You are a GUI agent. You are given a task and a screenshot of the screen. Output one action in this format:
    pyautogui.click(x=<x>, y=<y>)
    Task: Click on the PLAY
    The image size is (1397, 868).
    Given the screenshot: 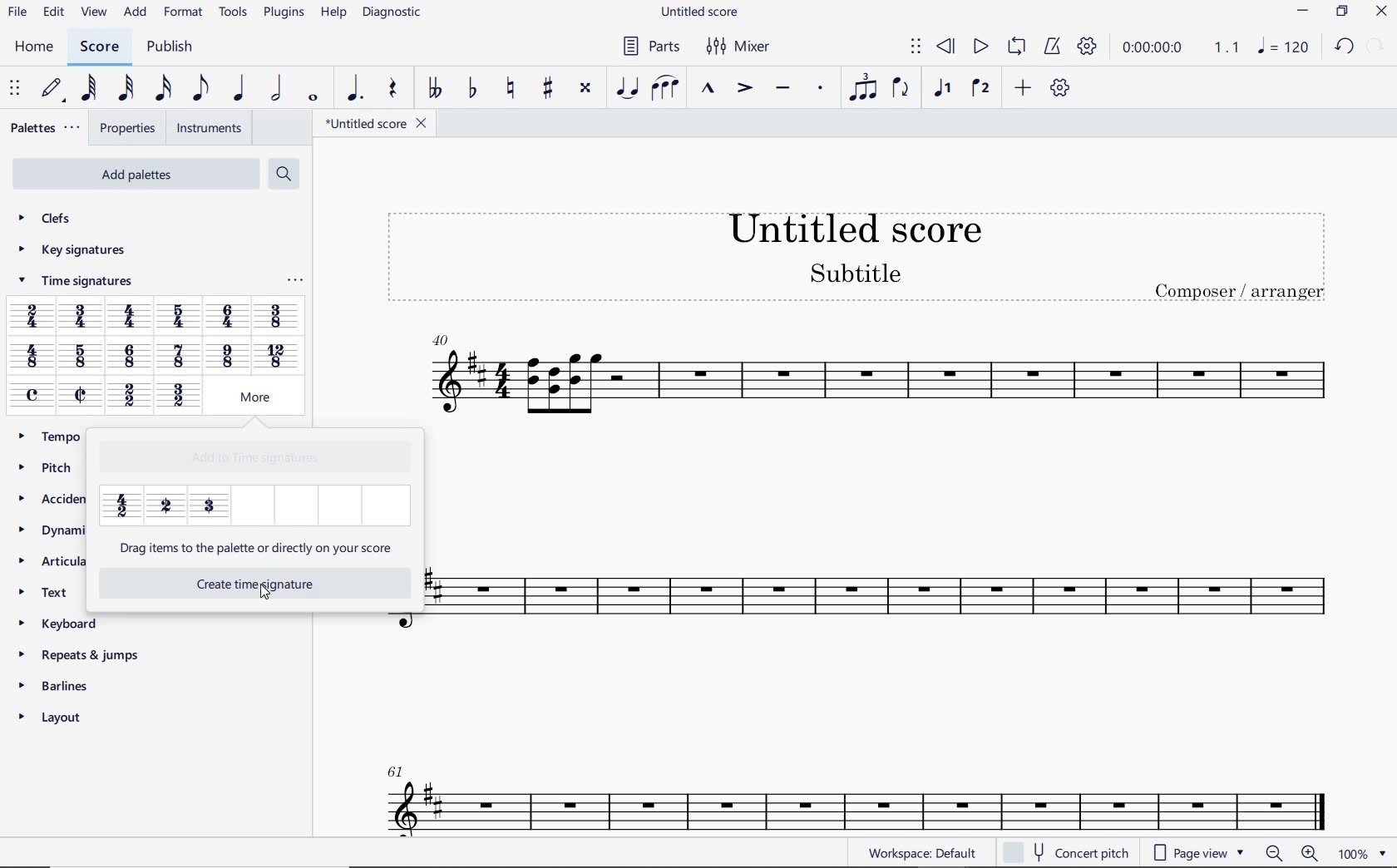 What is the action you would take?
    pyautogui.click(x=980, y=45)
    